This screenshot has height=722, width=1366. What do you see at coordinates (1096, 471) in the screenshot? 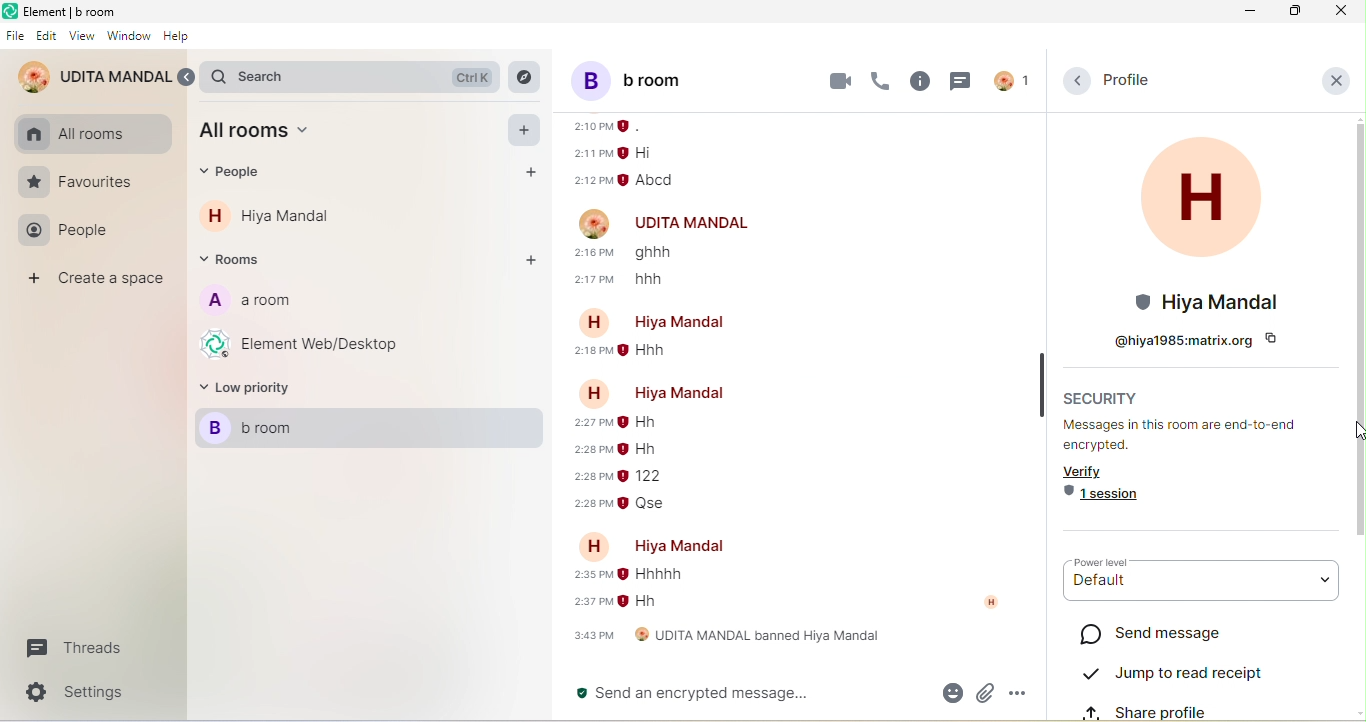
I see `verify` at bounding box center [1096, 471].